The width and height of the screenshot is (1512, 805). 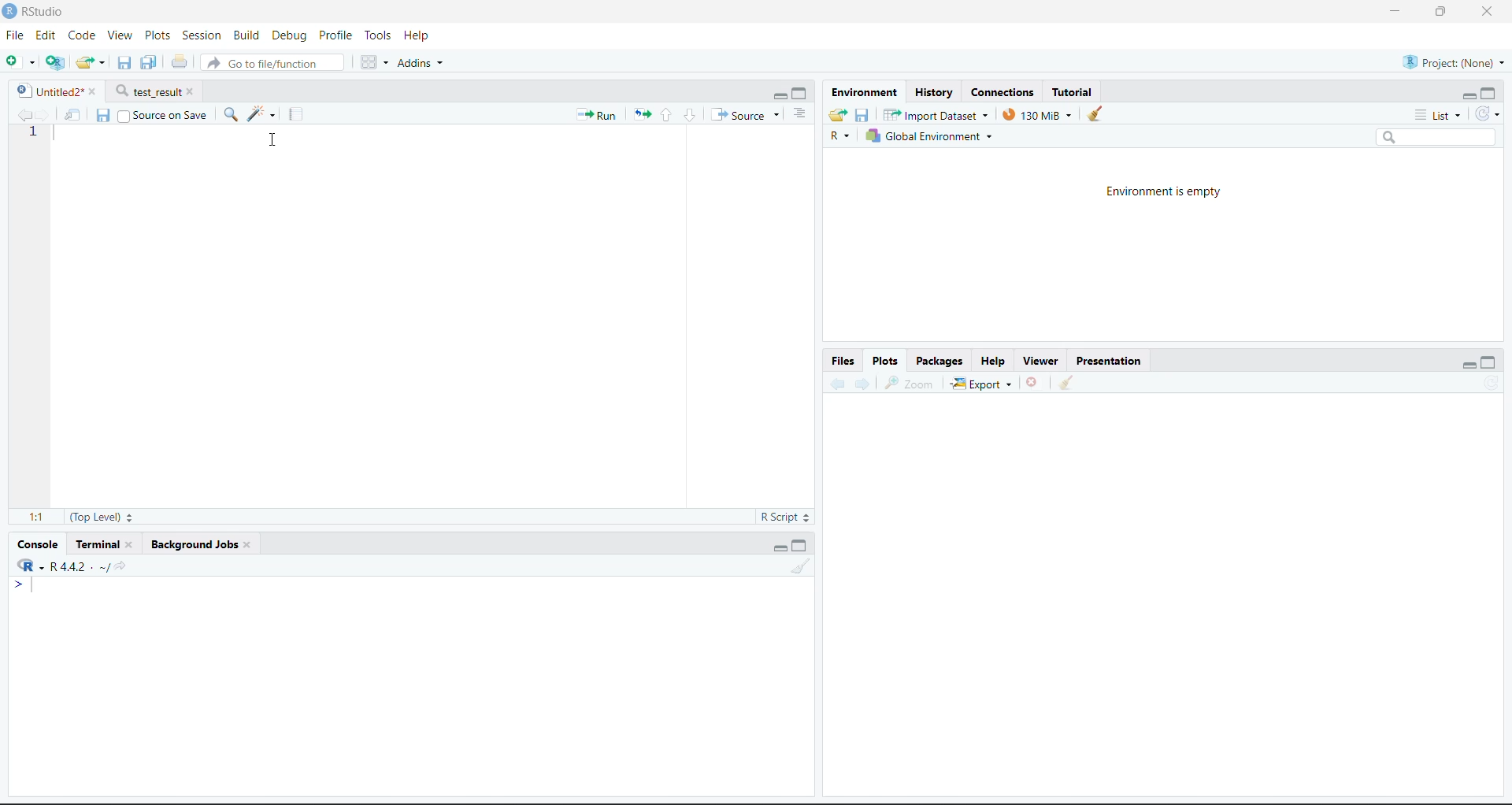 What do you see at coordinates (641, 116) in the screenshot?
I see `Re-run the previous code region (Ctrl + Alt + P)` at bounding box center [641, 116].